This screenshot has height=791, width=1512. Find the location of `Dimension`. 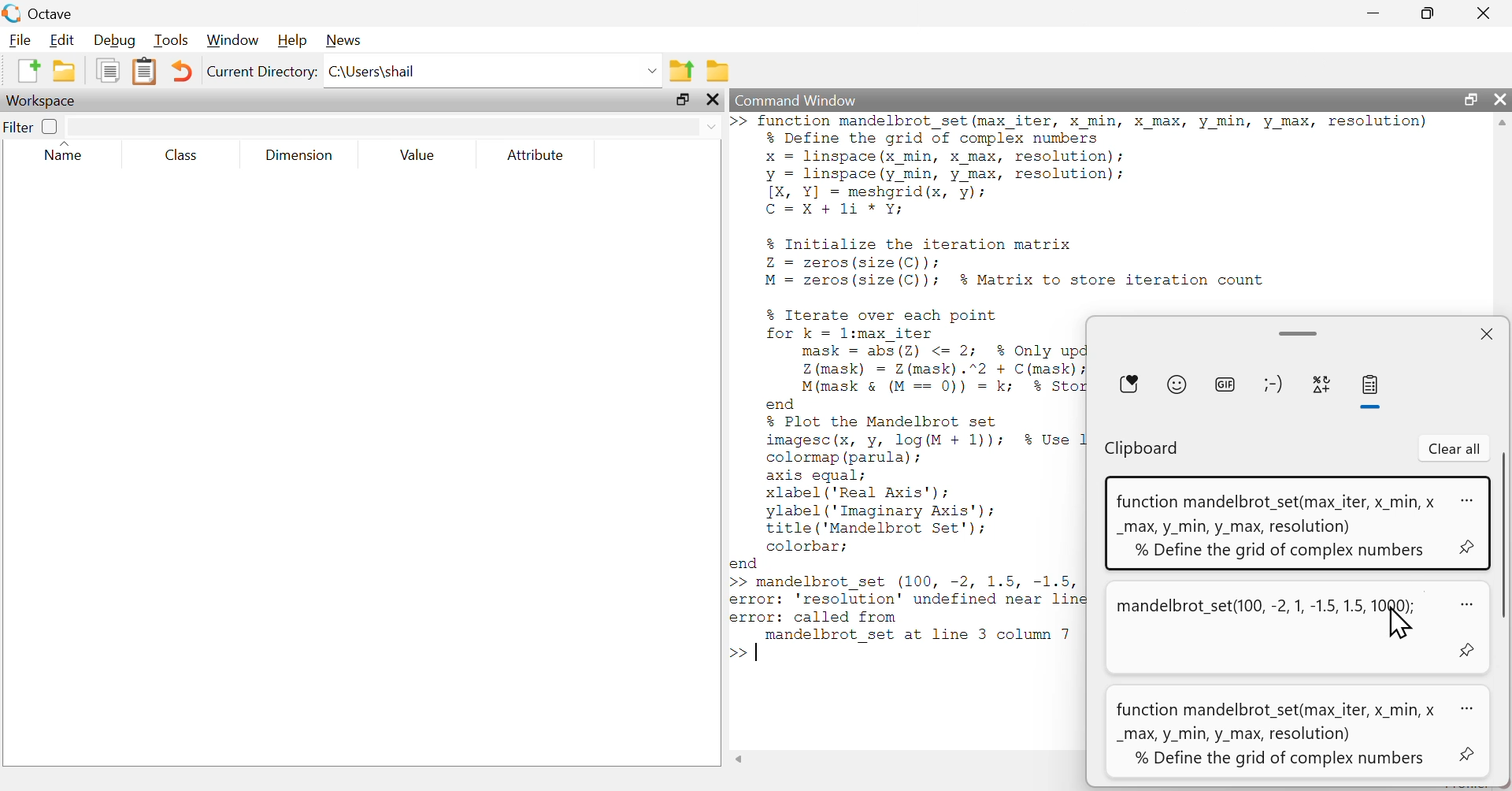

Dimension is located at coordinates (299, 155).